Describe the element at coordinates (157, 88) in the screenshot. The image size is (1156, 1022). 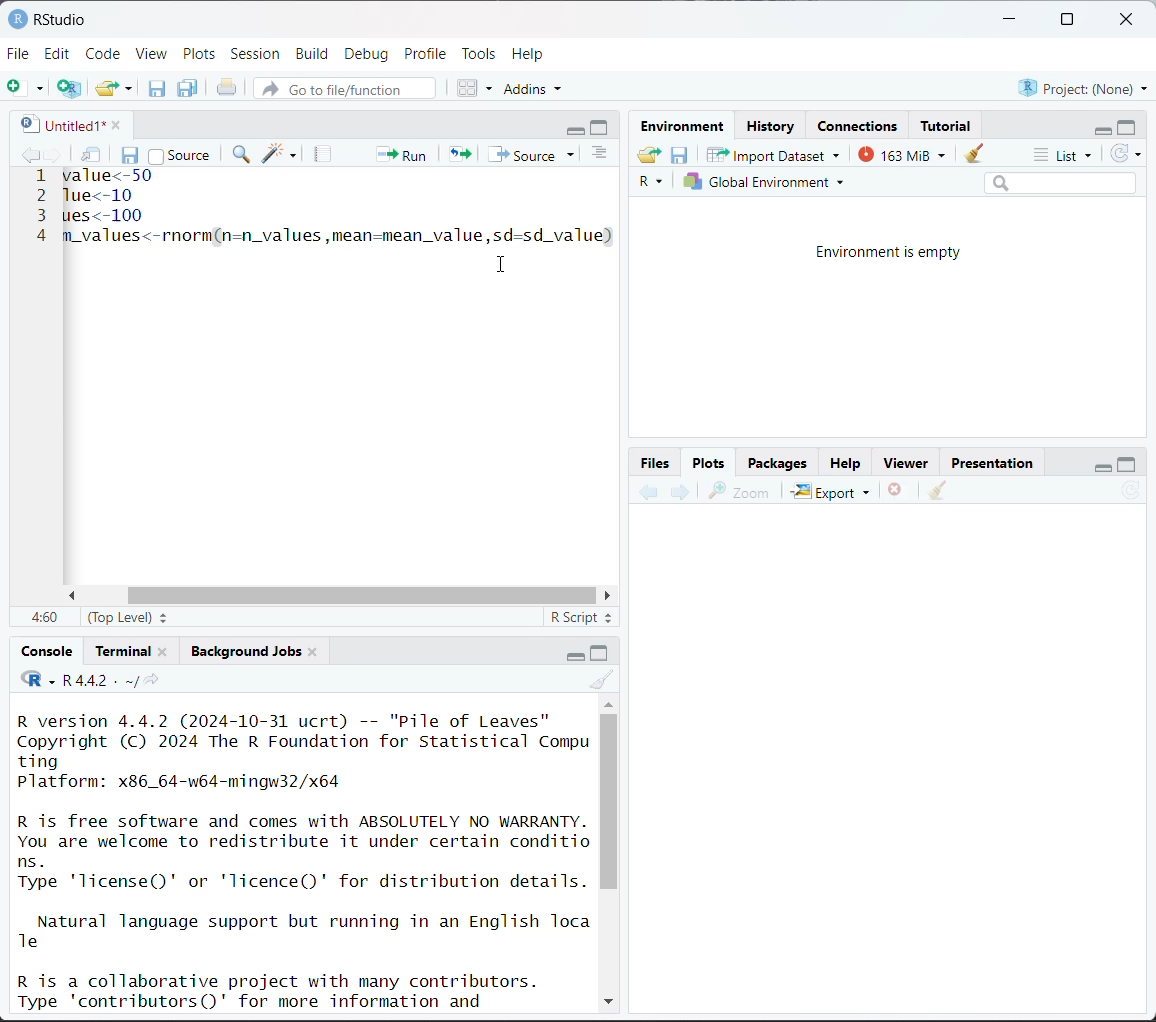
I see `save current document` at that location.